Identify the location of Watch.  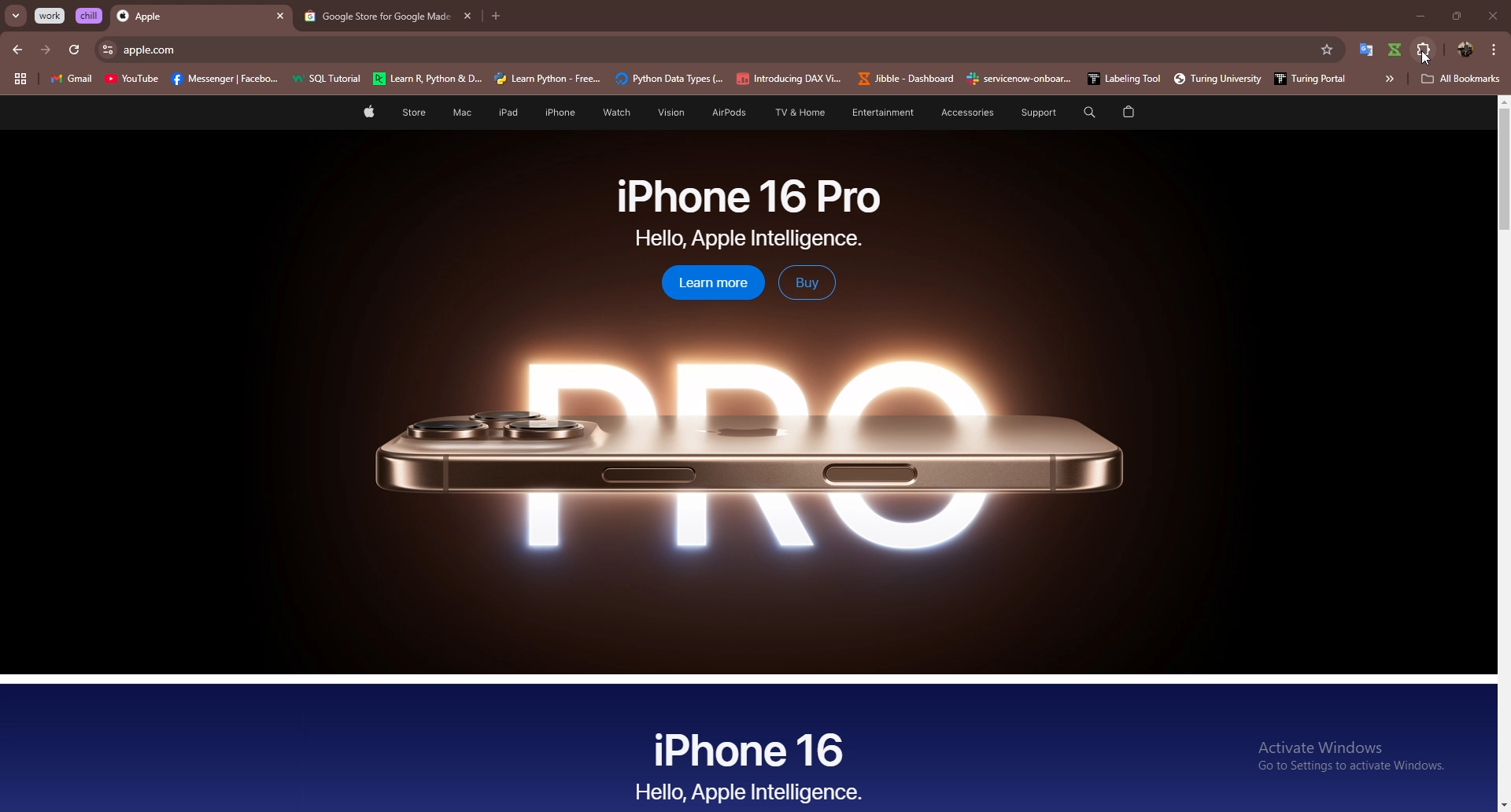
(614, 113).